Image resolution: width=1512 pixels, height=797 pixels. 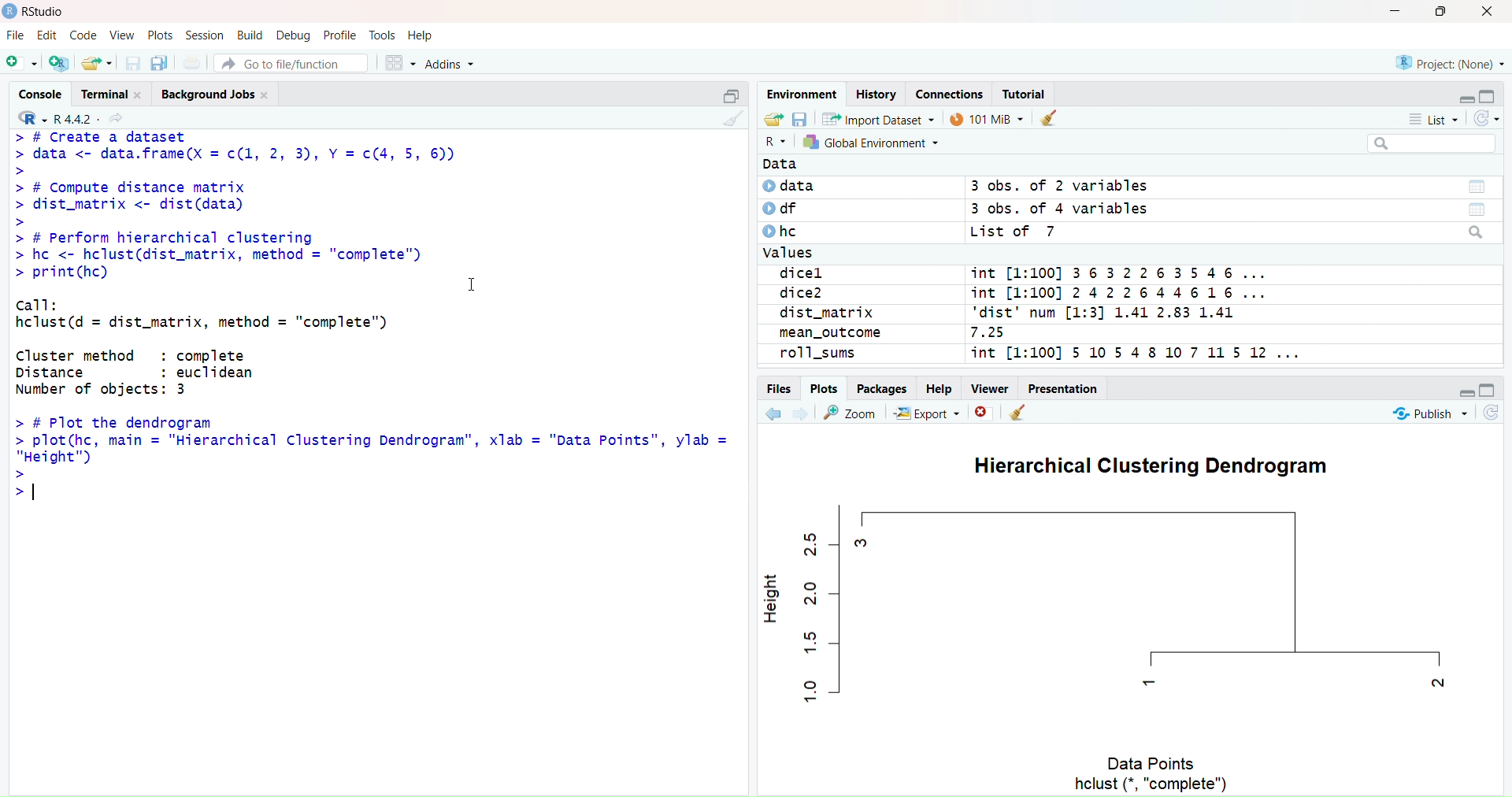 What do you see at coordinates (803, 413) in the screenshot?
I see `Go forward to the next source location (Ctrl + F10)` at bounding box center [803, 413].